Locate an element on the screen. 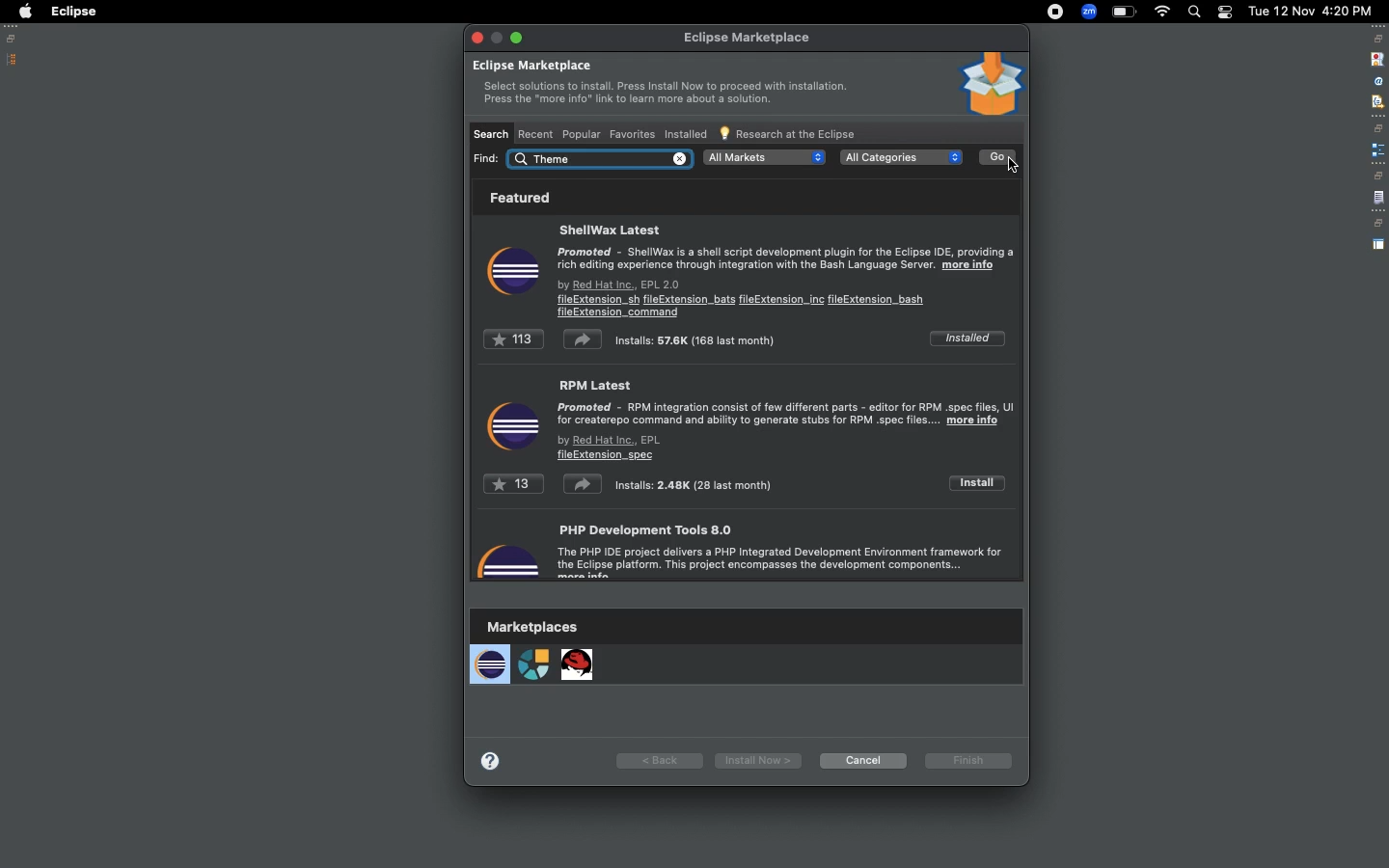 This screenshot has height=868, width=1389. restore is located at coordinates (1379, 128).